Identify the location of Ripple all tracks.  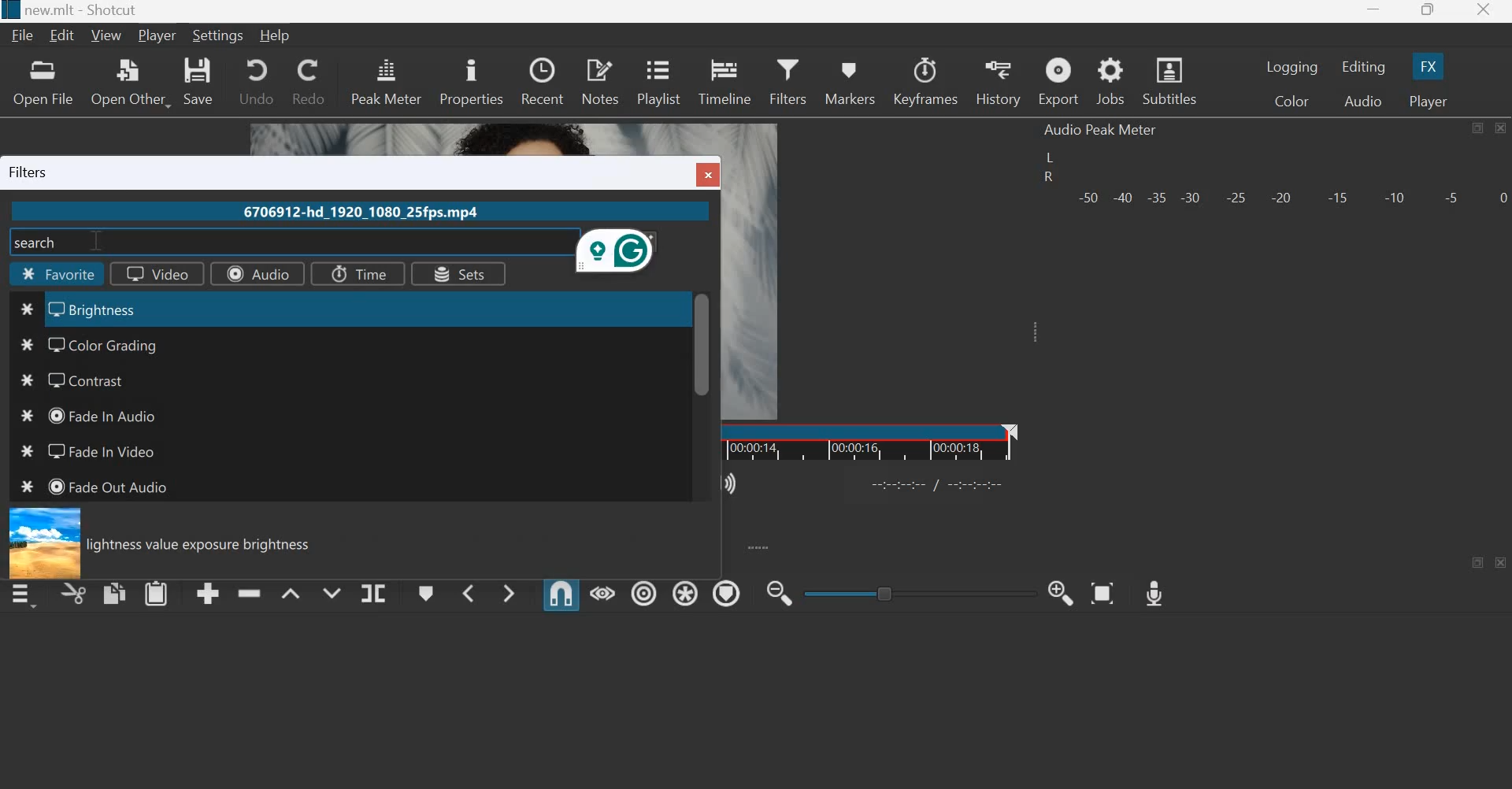
(682, 591).